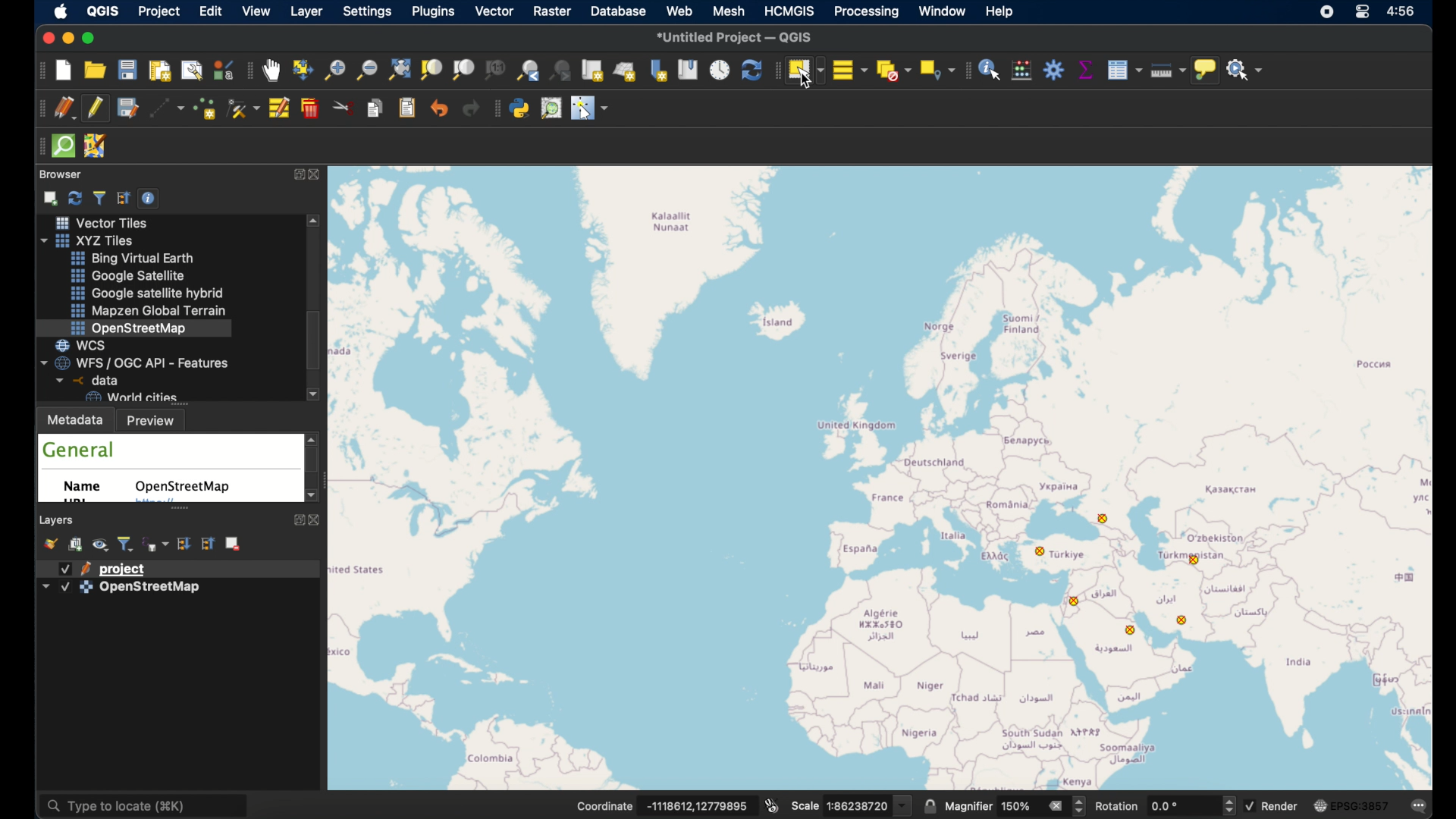  Describe the element at coordinates (808, 80) in the screenshot. I see `cursor` at that location.